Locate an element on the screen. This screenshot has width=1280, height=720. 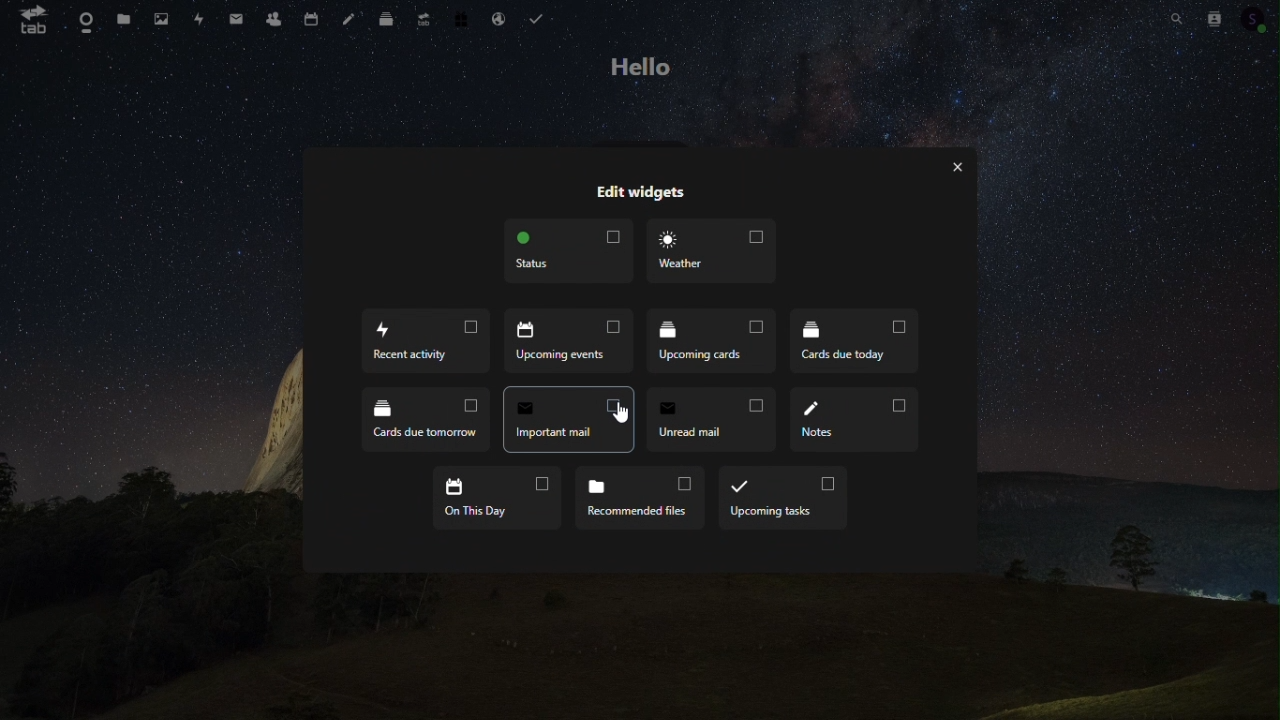
Recommended files is located at coordinates (637, 496).